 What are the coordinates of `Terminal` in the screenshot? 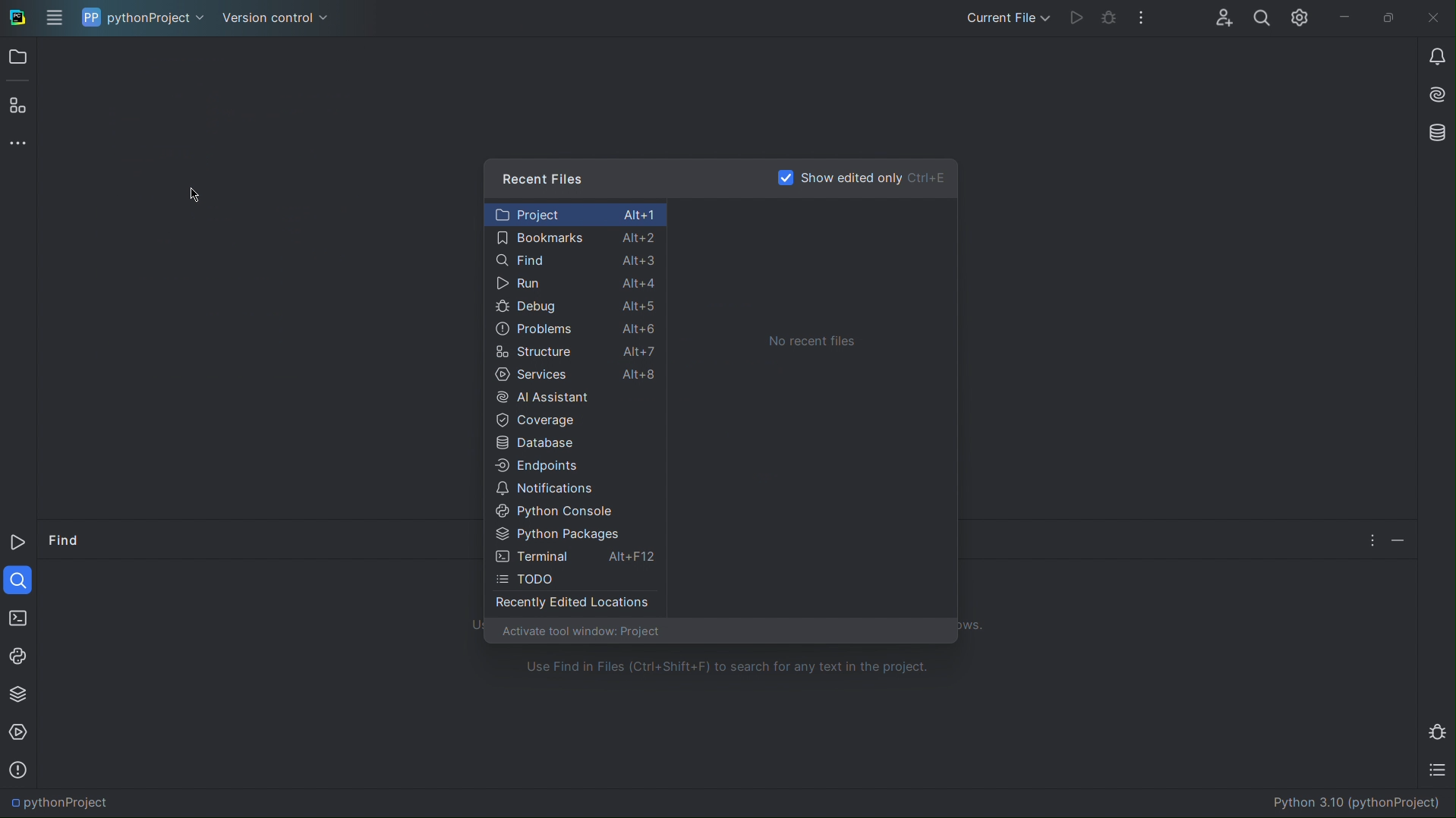 It's located at (17, 615).